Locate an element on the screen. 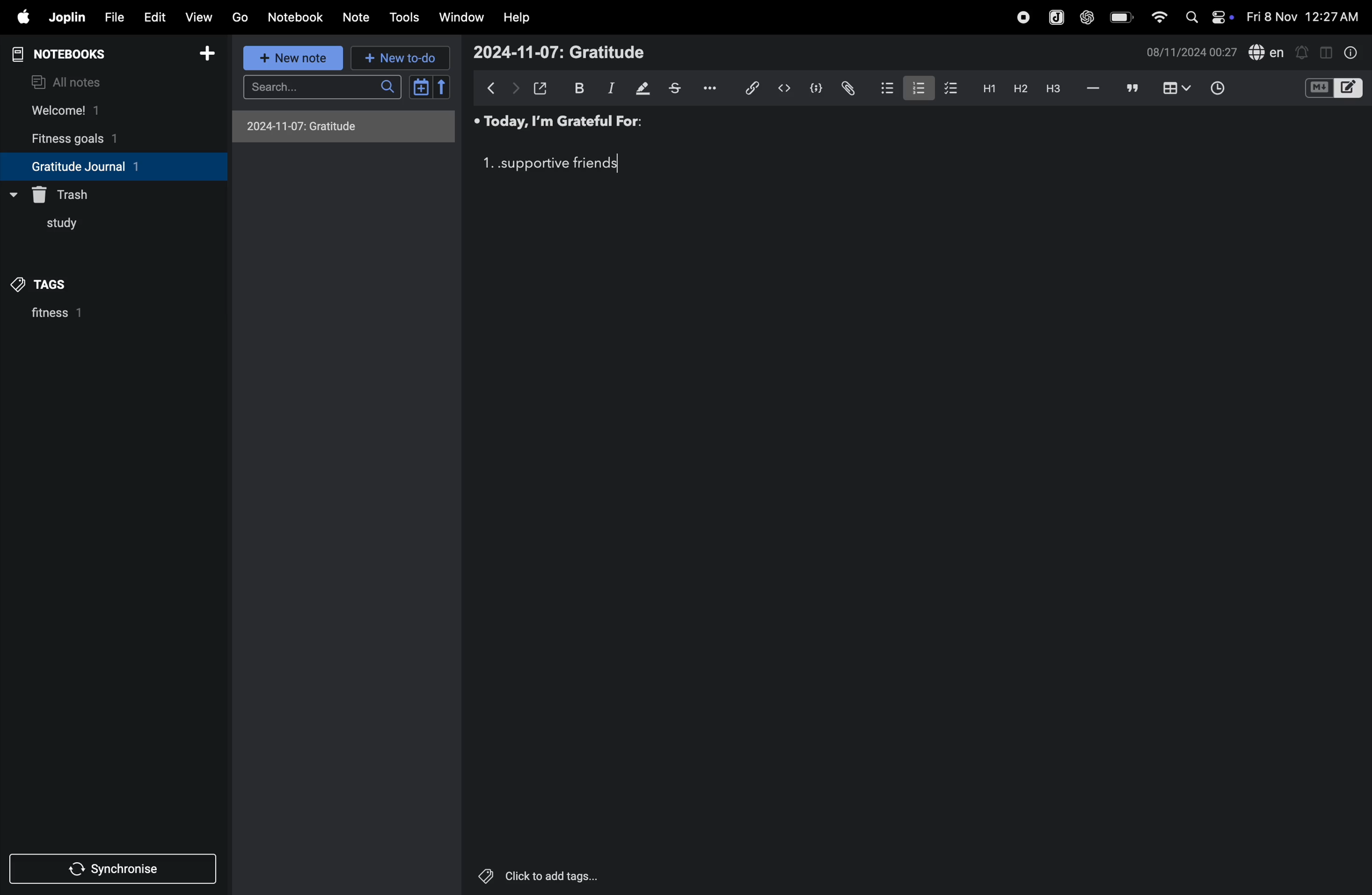 This screenshot has width=1372, height=895. table view is located at coordinates (1178, 88).